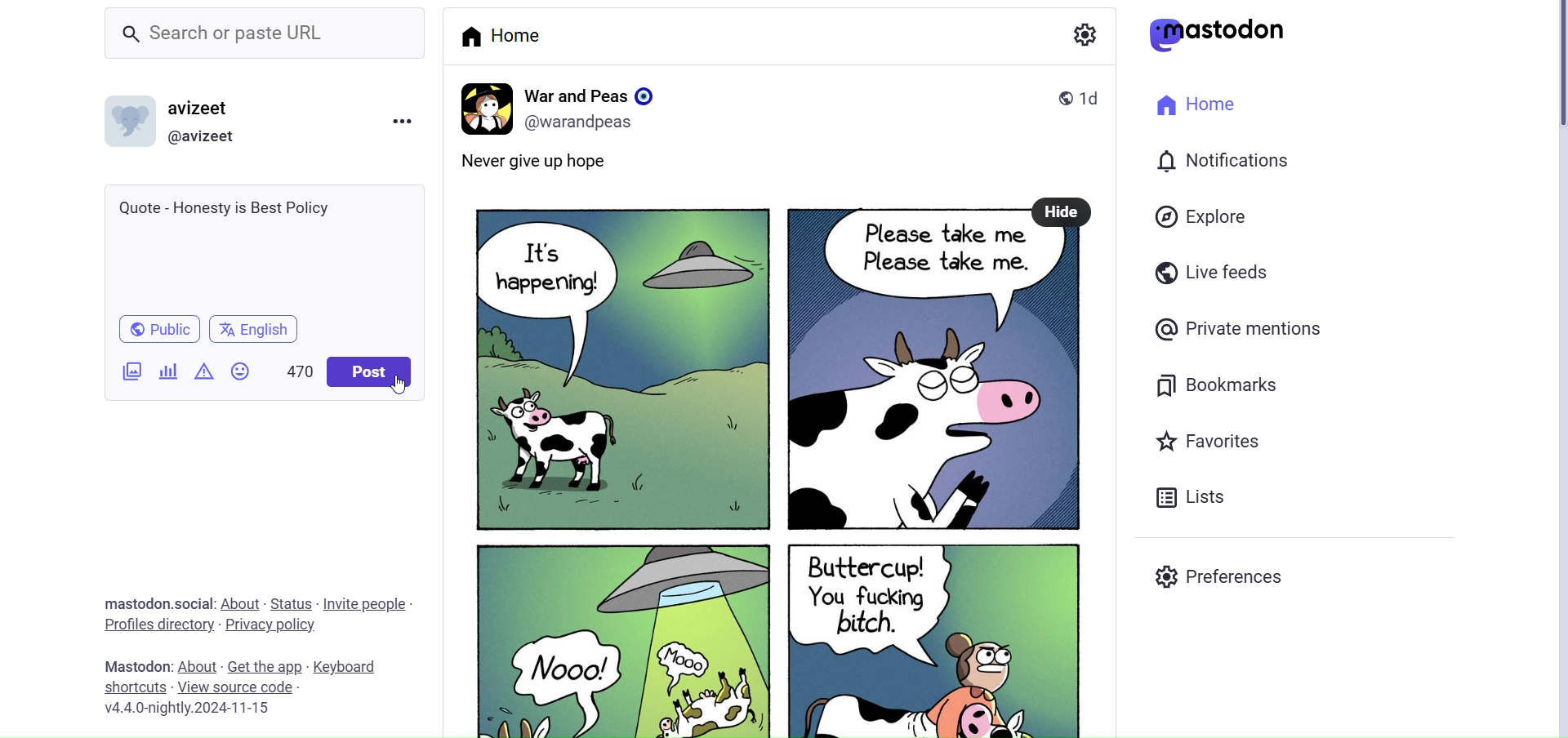 This screenshot has height=738, width=1568. What do you see at coordinates (235, 687) in the screenshot?
I see `View Source Code` at bounding box center [235, 687].